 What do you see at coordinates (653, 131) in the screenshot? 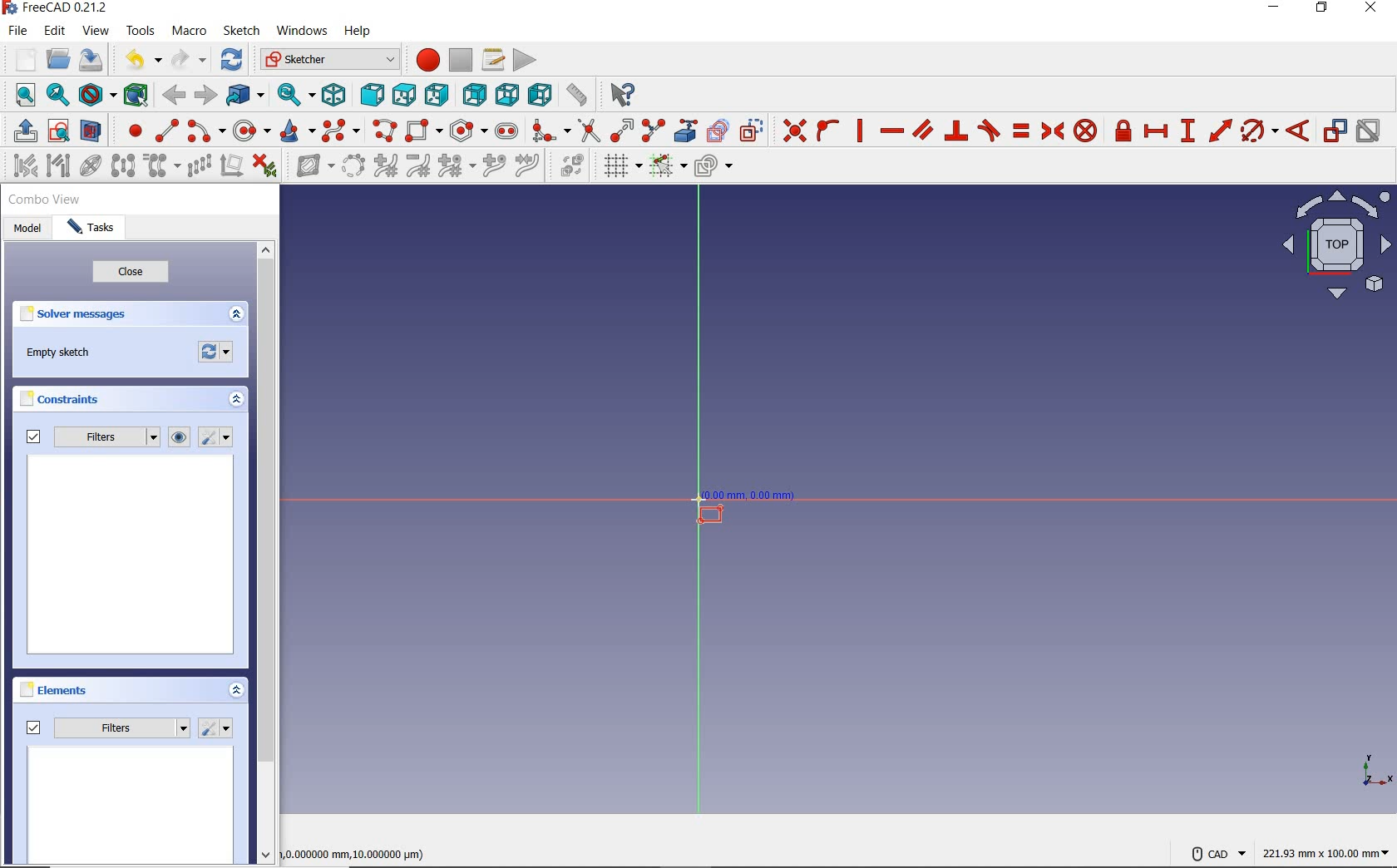
I see `split edge` at bounding box center [653, 131].